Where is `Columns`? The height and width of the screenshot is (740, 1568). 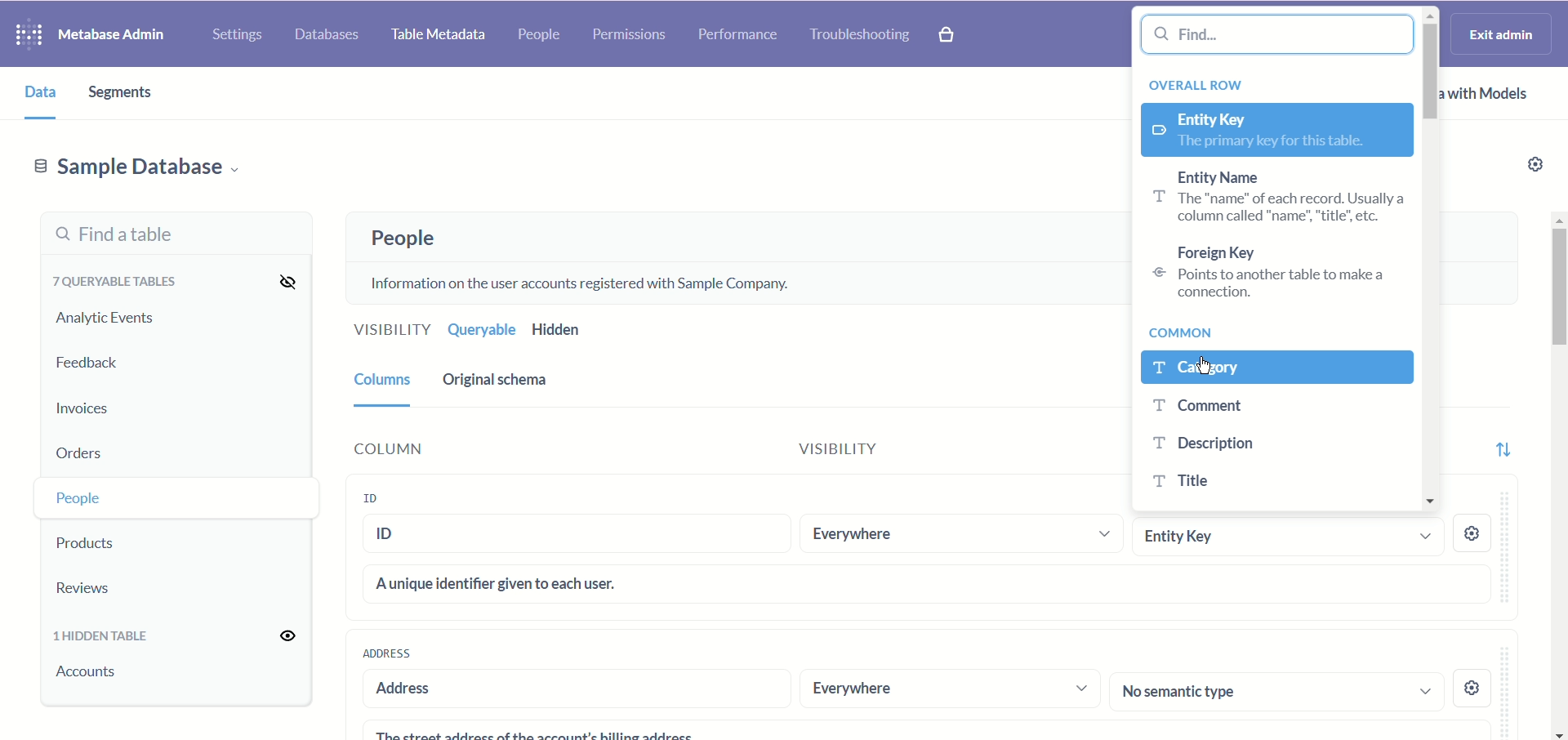
Columns is located at coordinates (379, 378).